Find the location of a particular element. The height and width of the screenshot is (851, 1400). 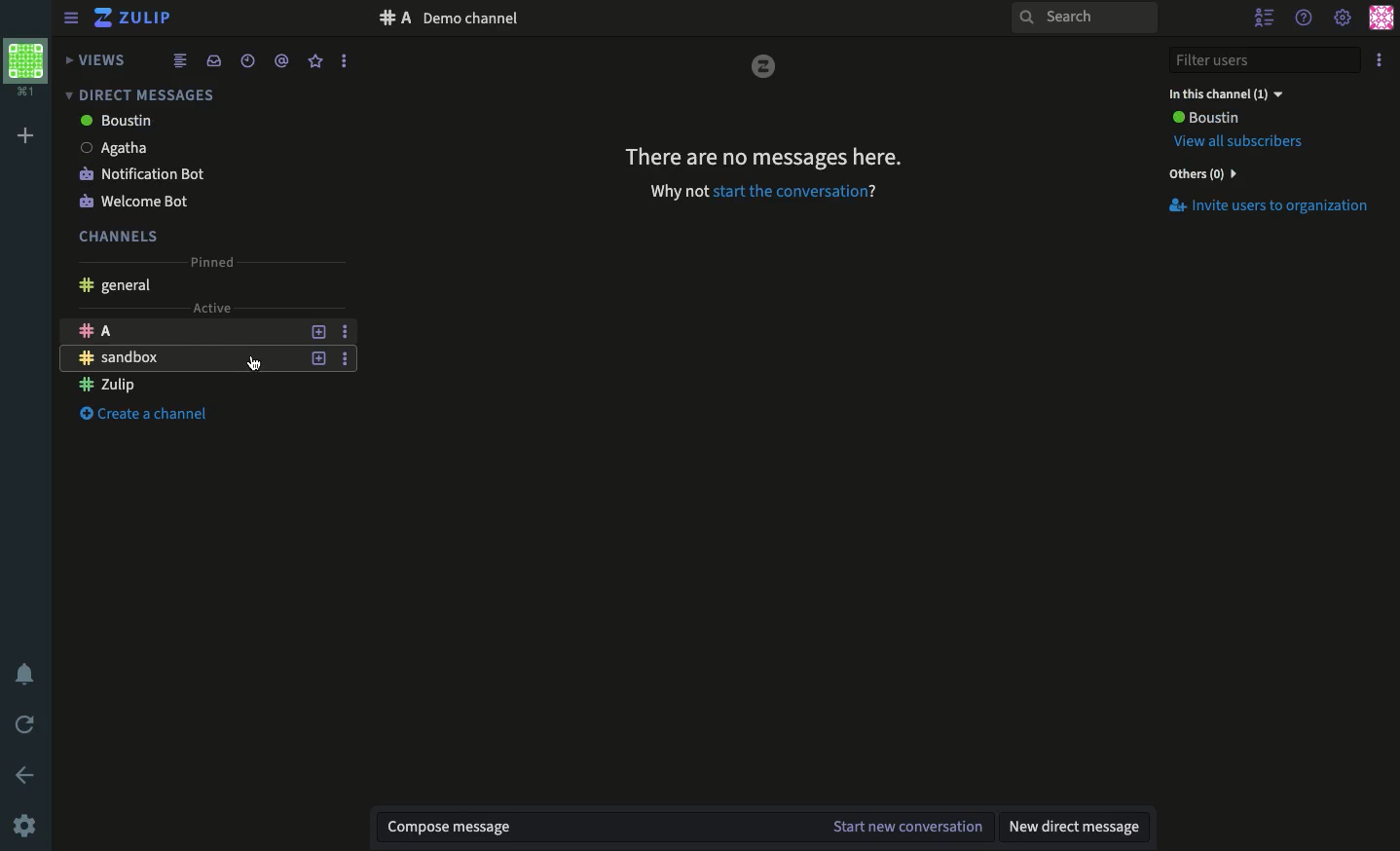

Notification is located at coordinates (27, 677).